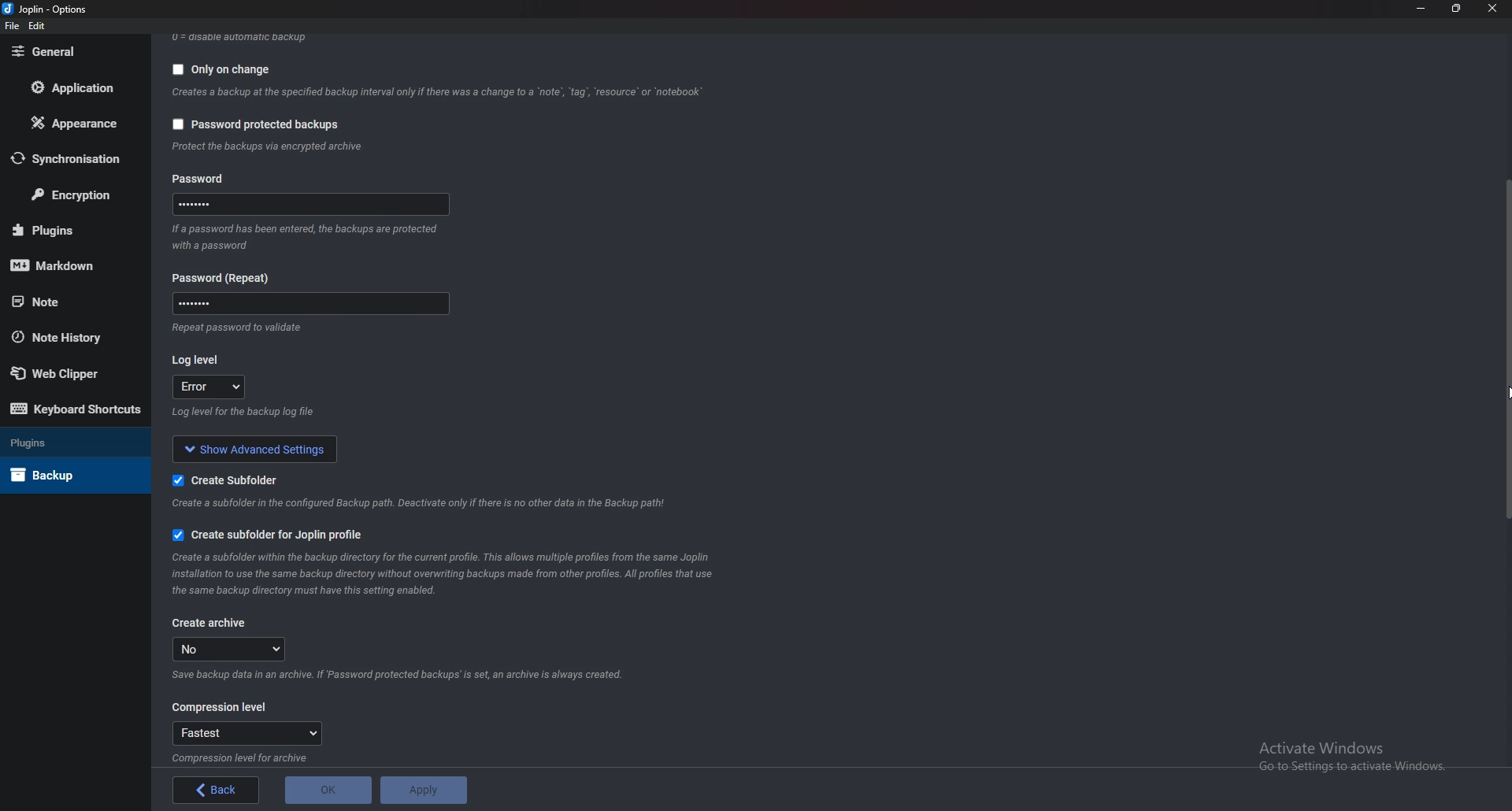 This screenshot has width=1512, height=811. Describe the element at coordinates (64, 336) in the screenshot. I see `Note history` at that location.